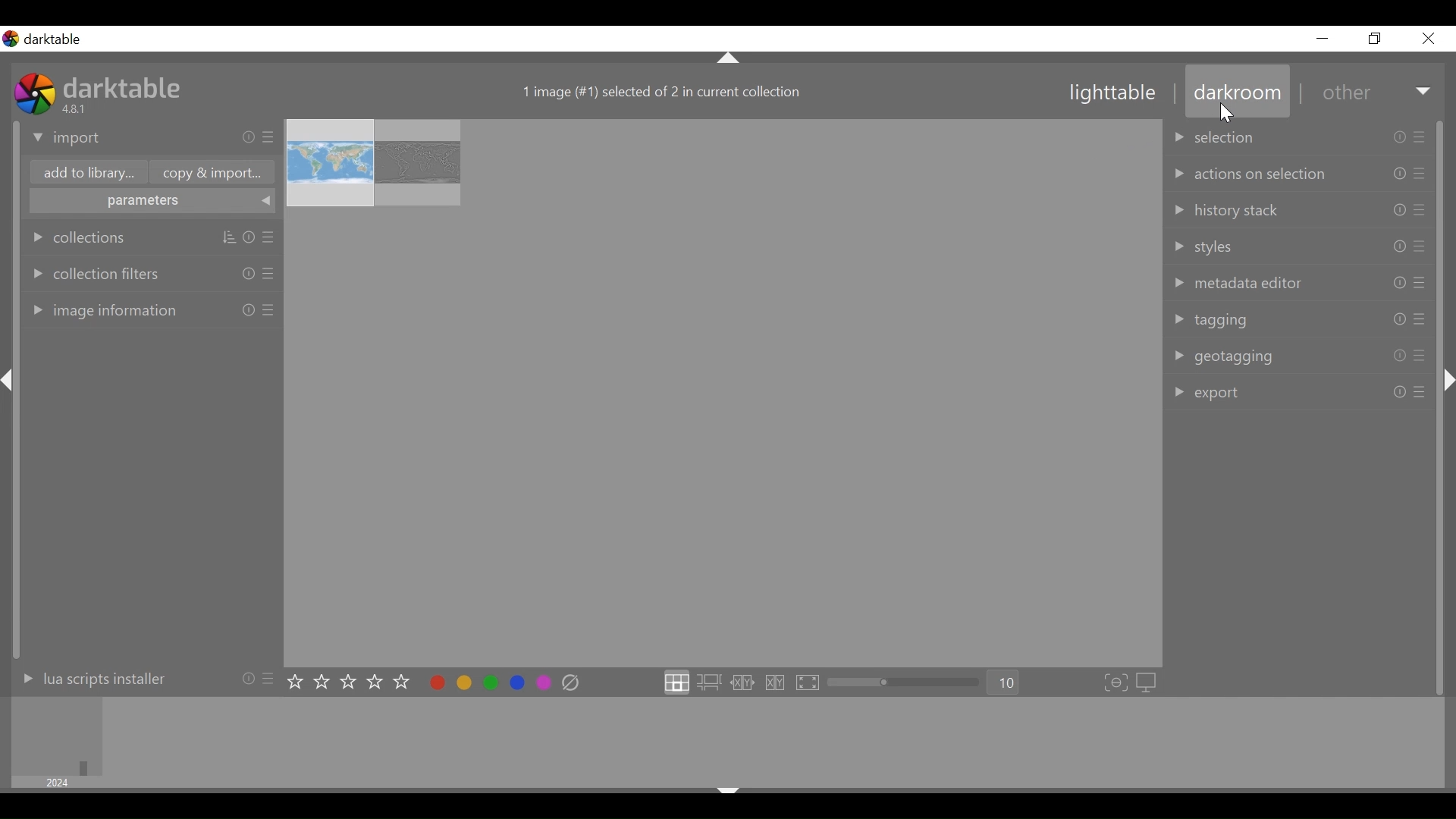 This screenshot has height=819, width=1456. I want to click on darkroom, so click(1235, 95).